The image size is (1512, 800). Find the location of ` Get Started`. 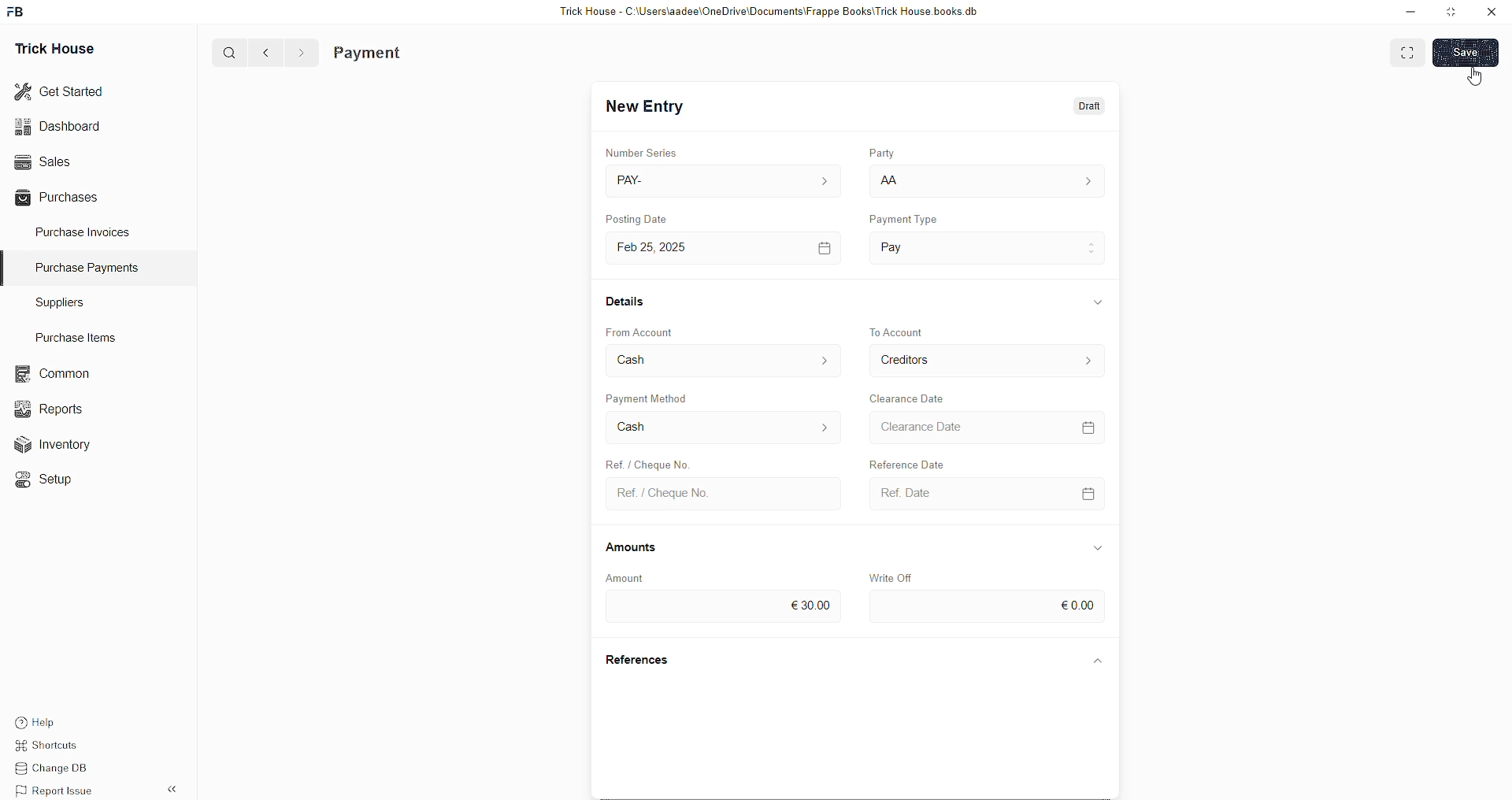

 Get Started is located at coordinates (60, 90).